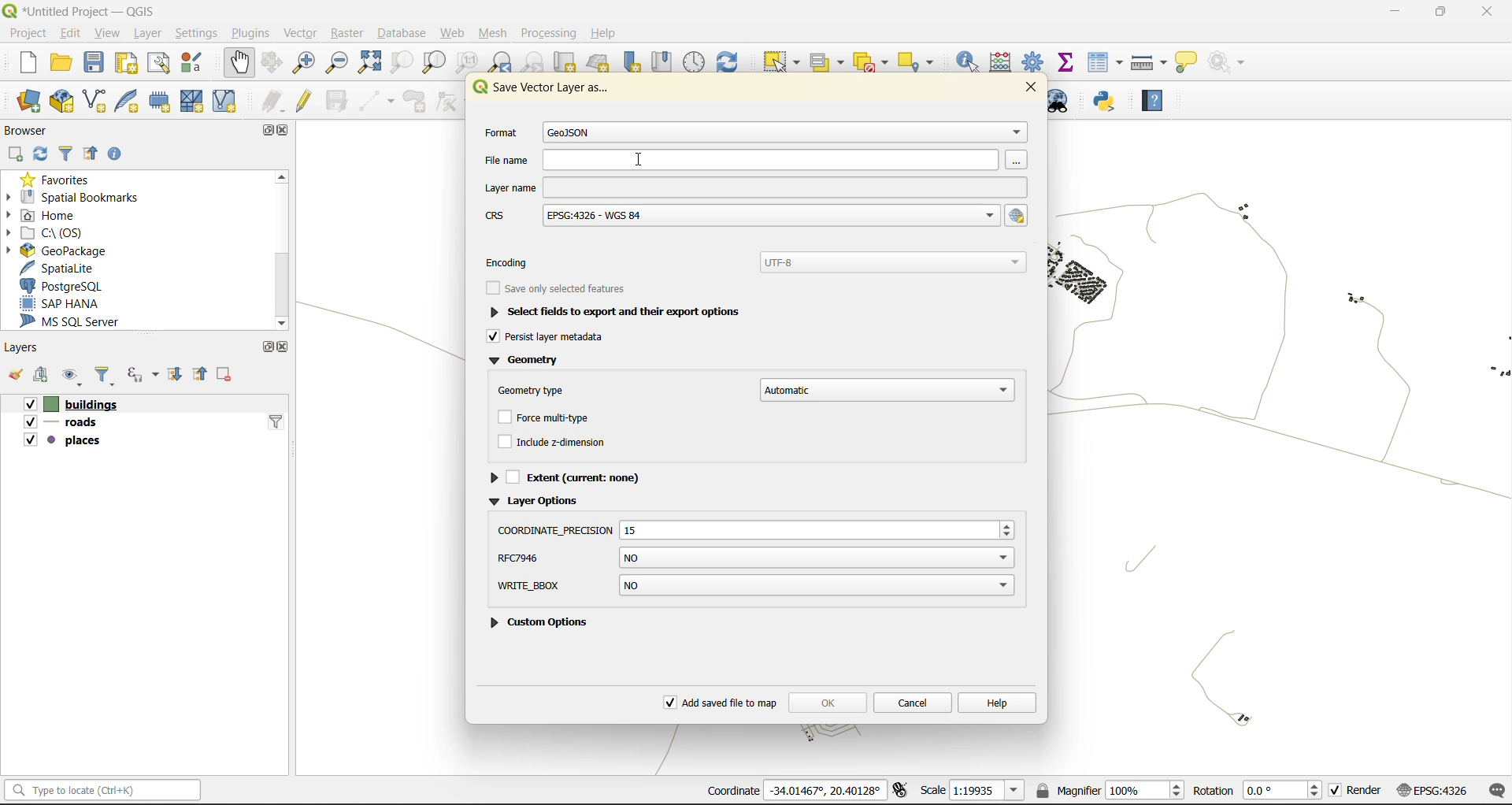 The height and width of the screenshot is (805, 1512). Describe the element at coordinates (754, 558) in the screenshot. I see `shpt` at that location.